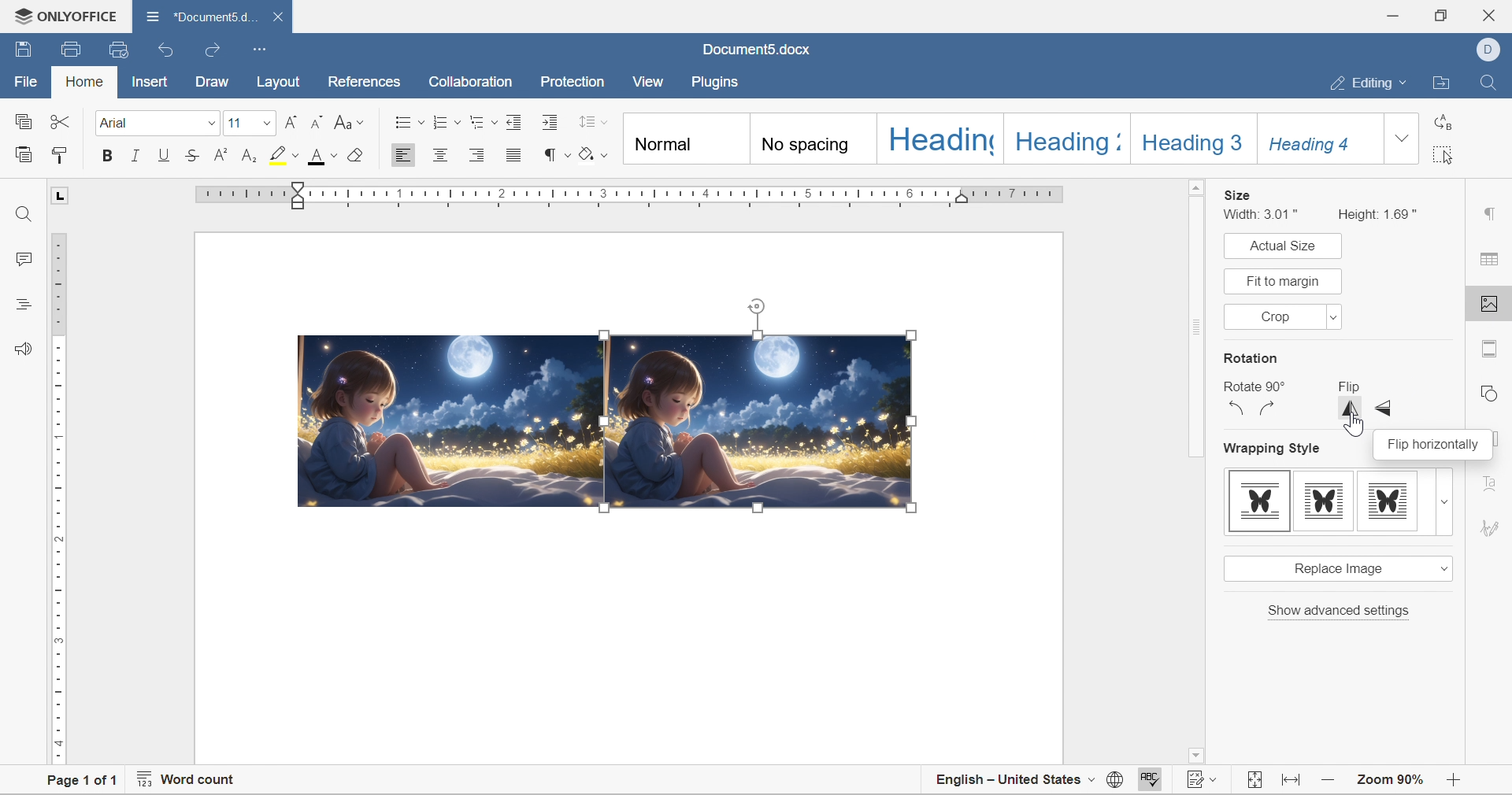  Describe the element at coordinates (59, 500) in the screenshot. I see `ruler` at that location.